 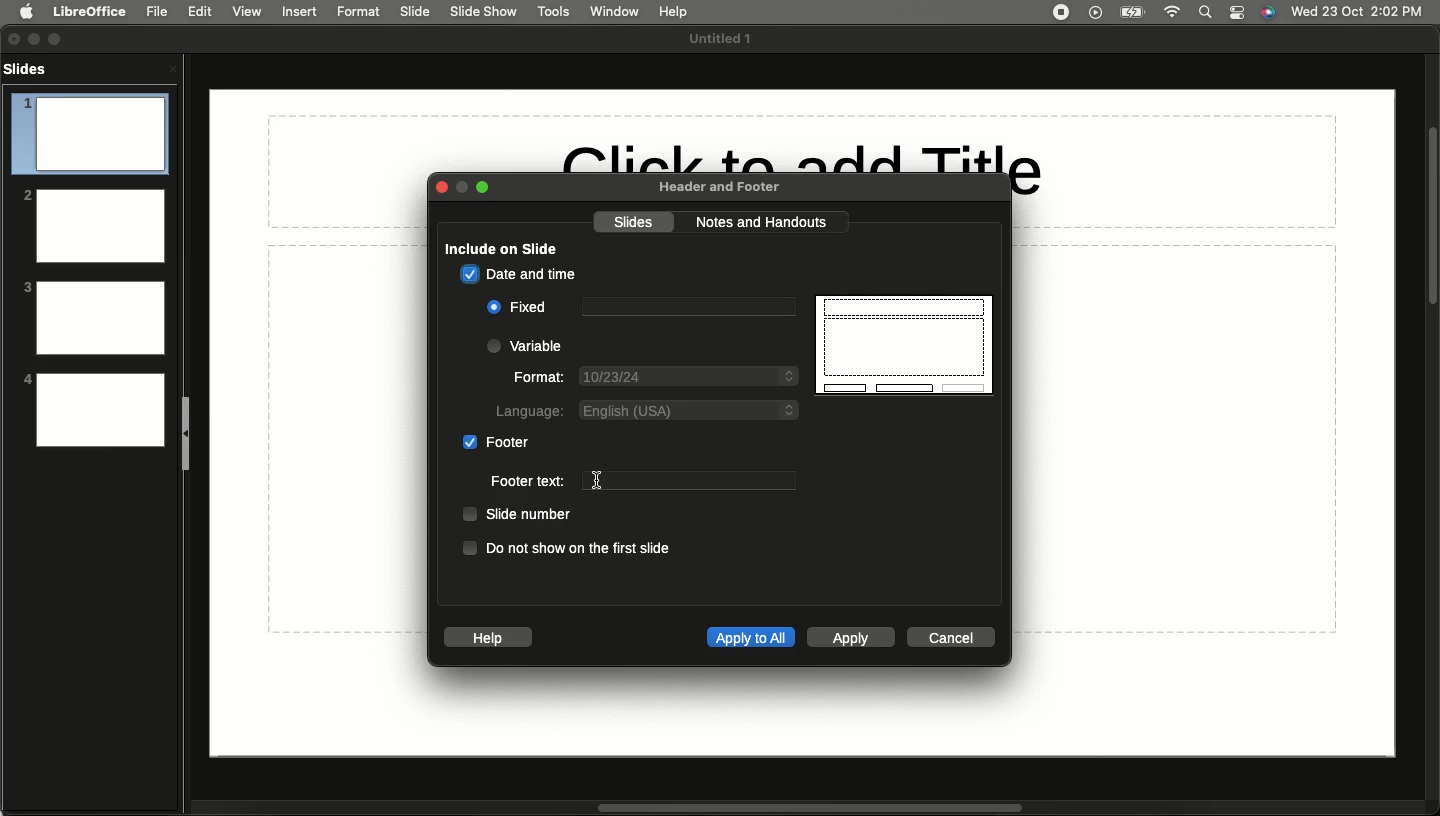 What do you see at coordinates (954, 638) in the screenshot?
I see `Cancel` at bounding box center [954, 638].